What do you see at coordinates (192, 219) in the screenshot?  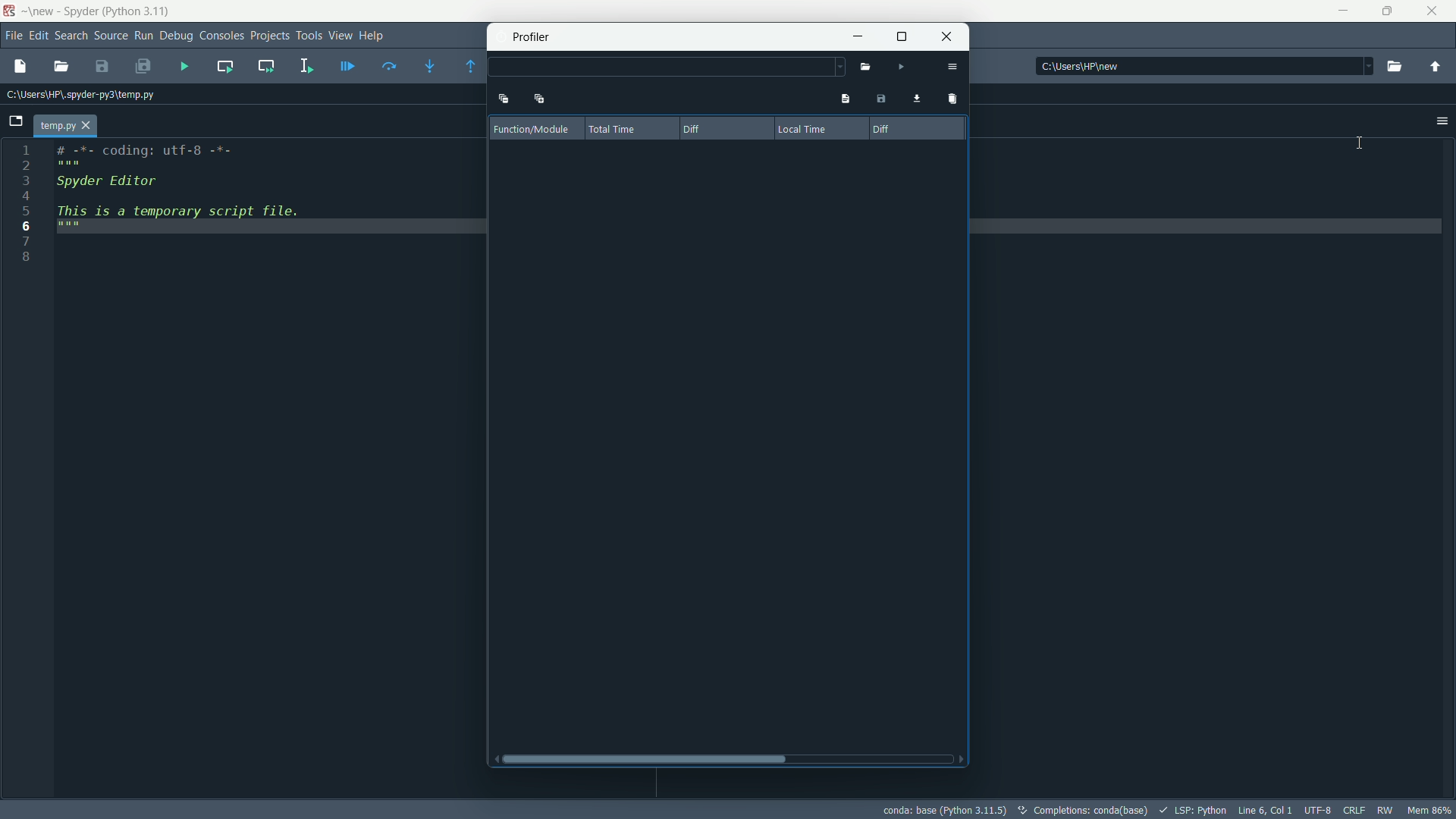 I see `This is a temporary script file.` at bounding box center [192, 219].